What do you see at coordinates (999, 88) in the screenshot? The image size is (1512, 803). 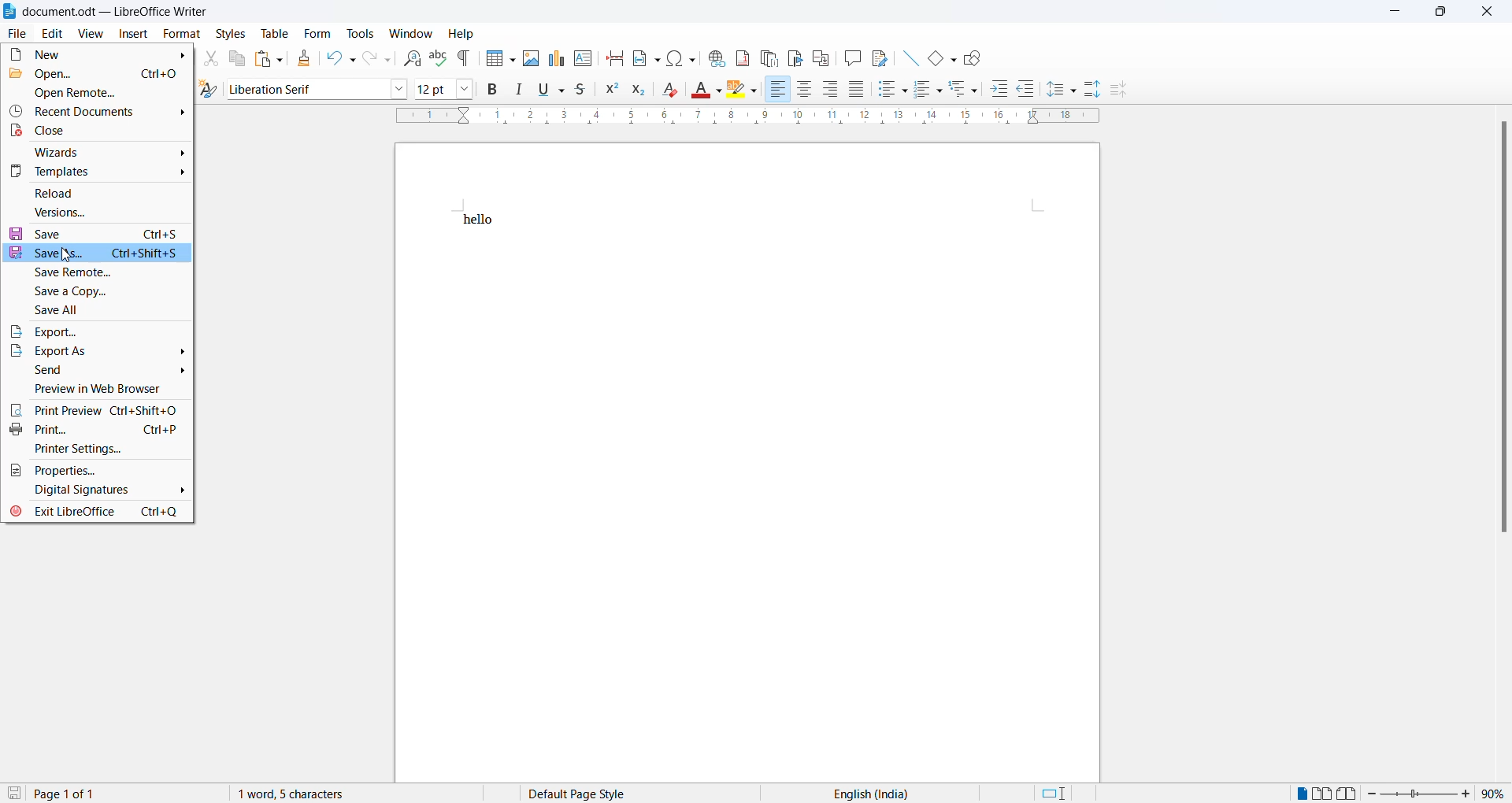 I see `Increase indent` at bounding box center [999, 88].